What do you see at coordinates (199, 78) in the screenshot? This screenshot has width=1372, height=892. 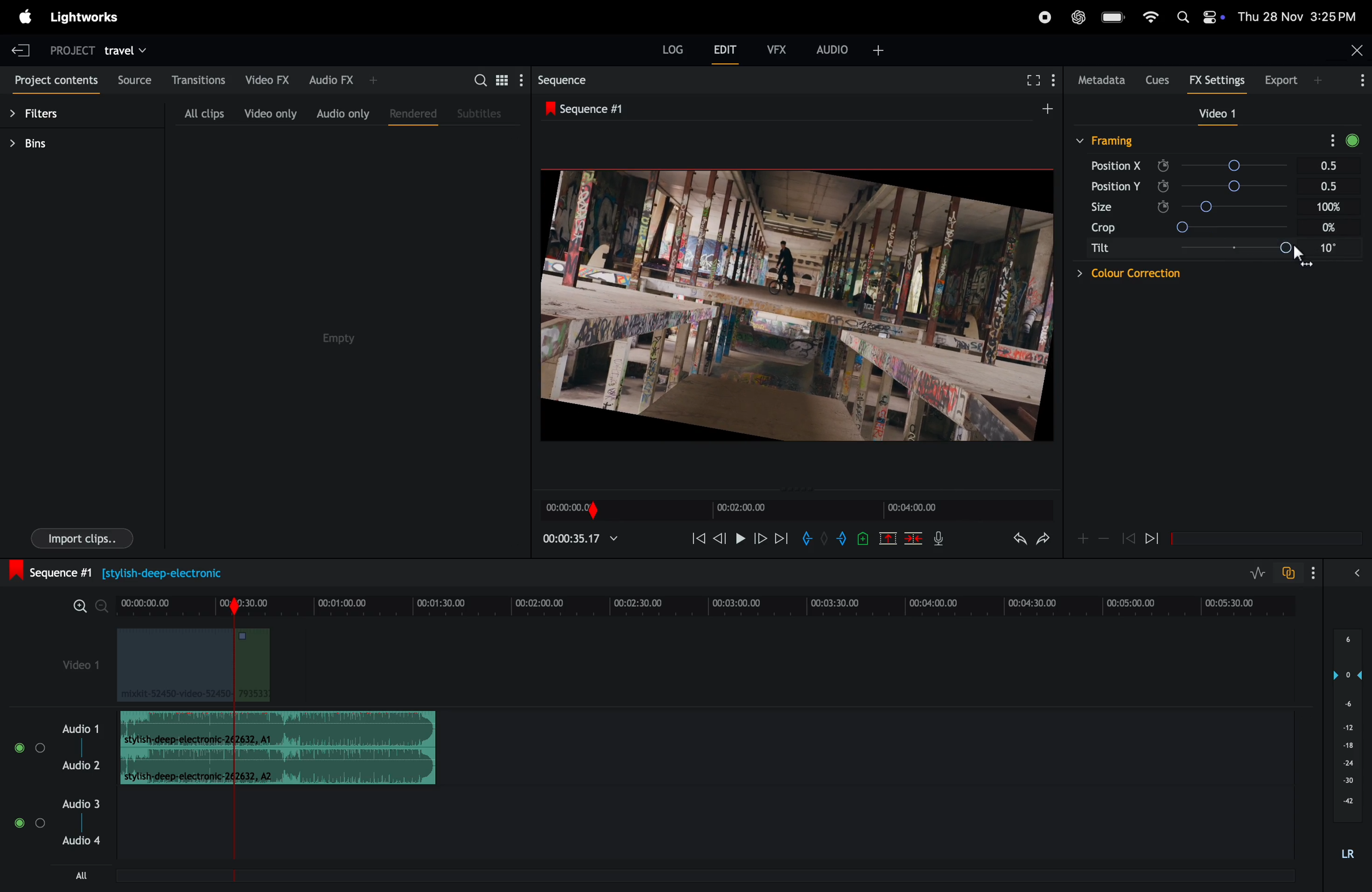 I see `transactions` at bounding box center [199, 78].